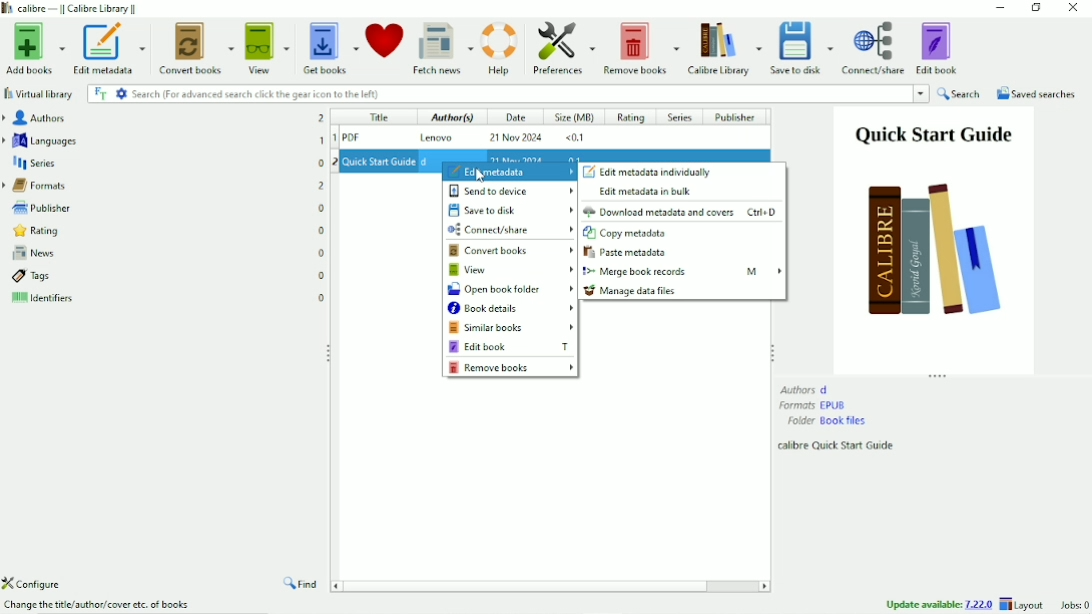  I want to click on Update available, so click(939, 604).